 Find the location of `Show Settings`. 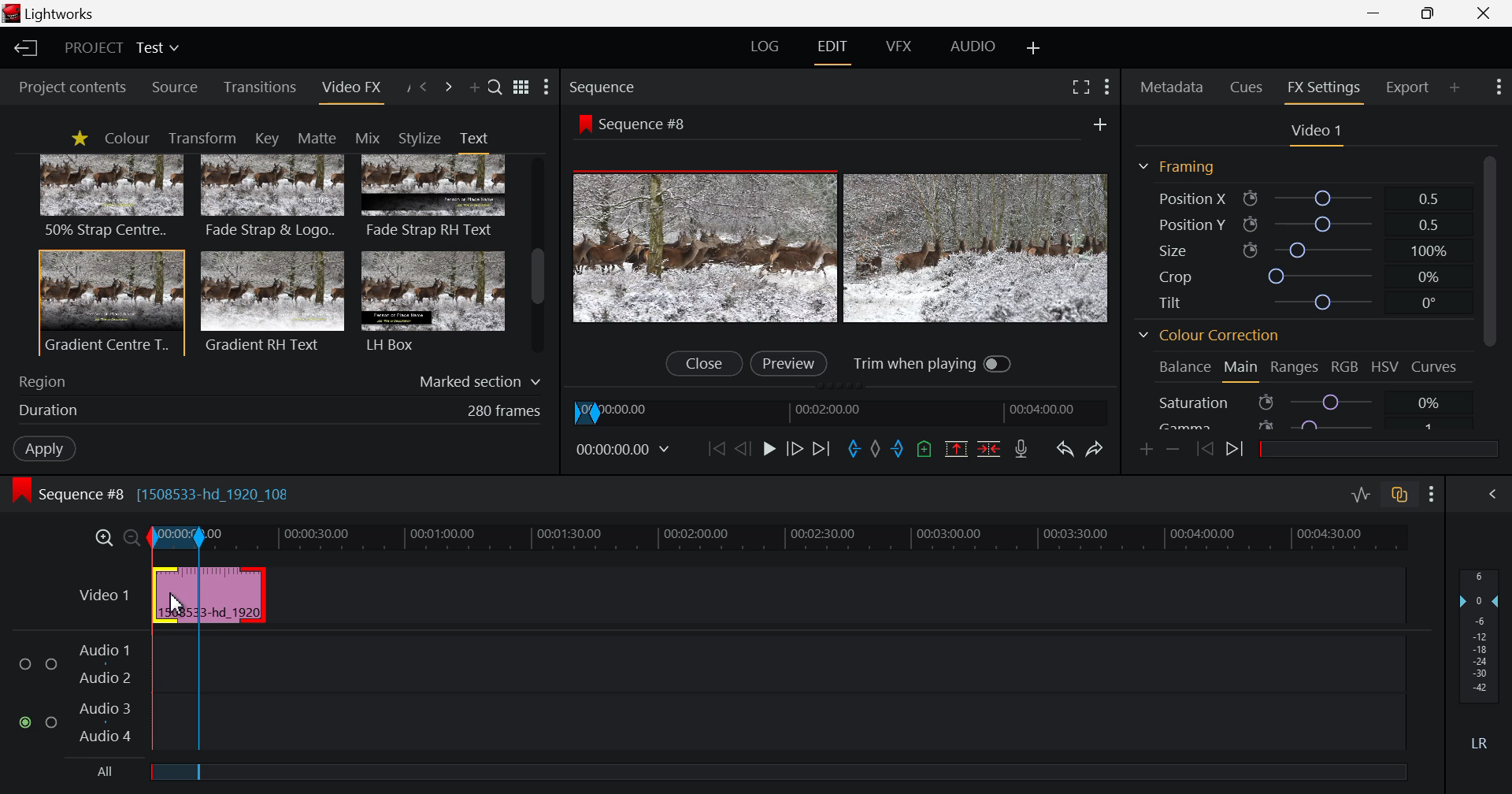

Show Settings is located at coordinates (1496, 87).